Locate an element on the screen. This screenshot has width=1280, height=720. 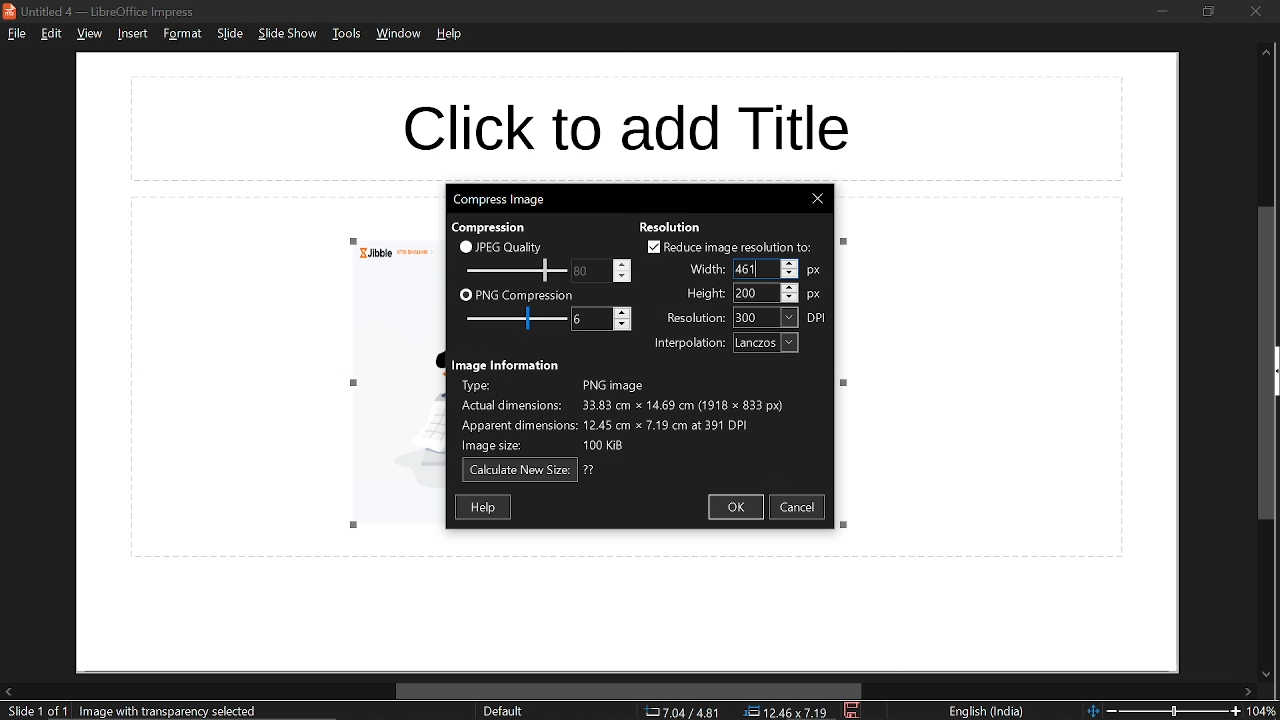
checkbox is located at coordinates (465, 246).